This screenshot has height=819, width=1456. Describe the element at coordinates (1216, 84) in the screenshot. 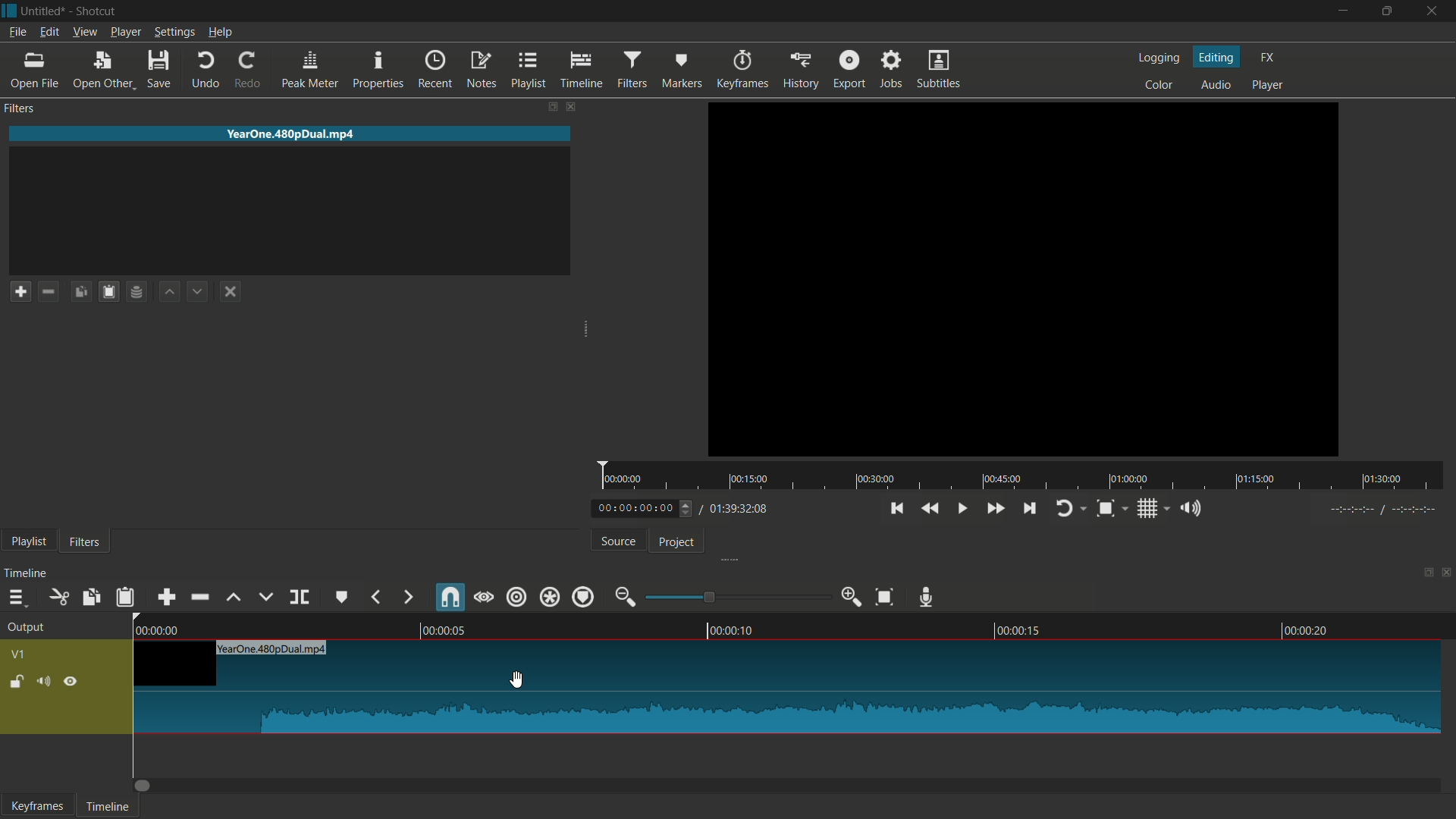

I see `audio` at that location.